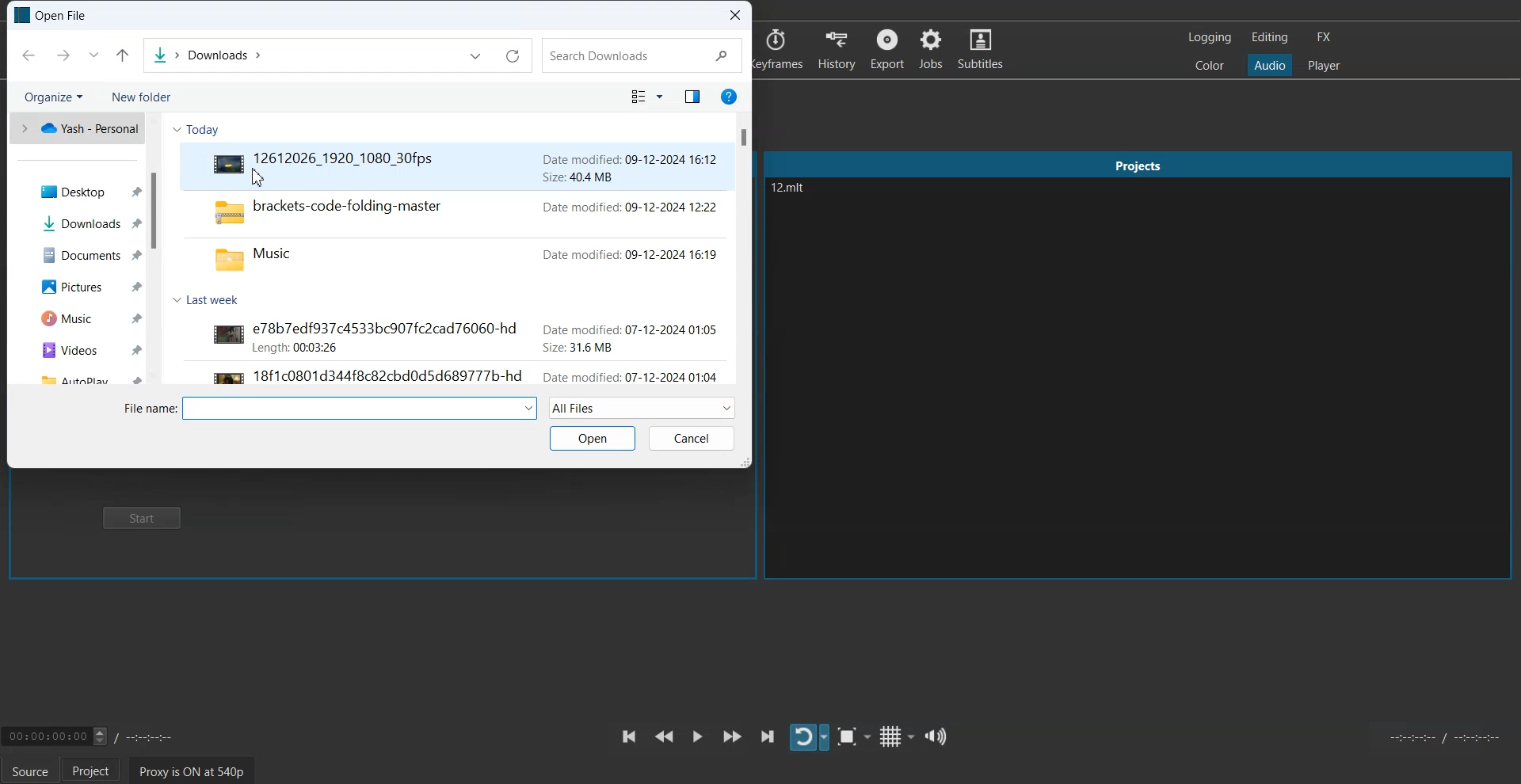 The image size is (1521, 784). I want to click on All Files, so click(642, 407).